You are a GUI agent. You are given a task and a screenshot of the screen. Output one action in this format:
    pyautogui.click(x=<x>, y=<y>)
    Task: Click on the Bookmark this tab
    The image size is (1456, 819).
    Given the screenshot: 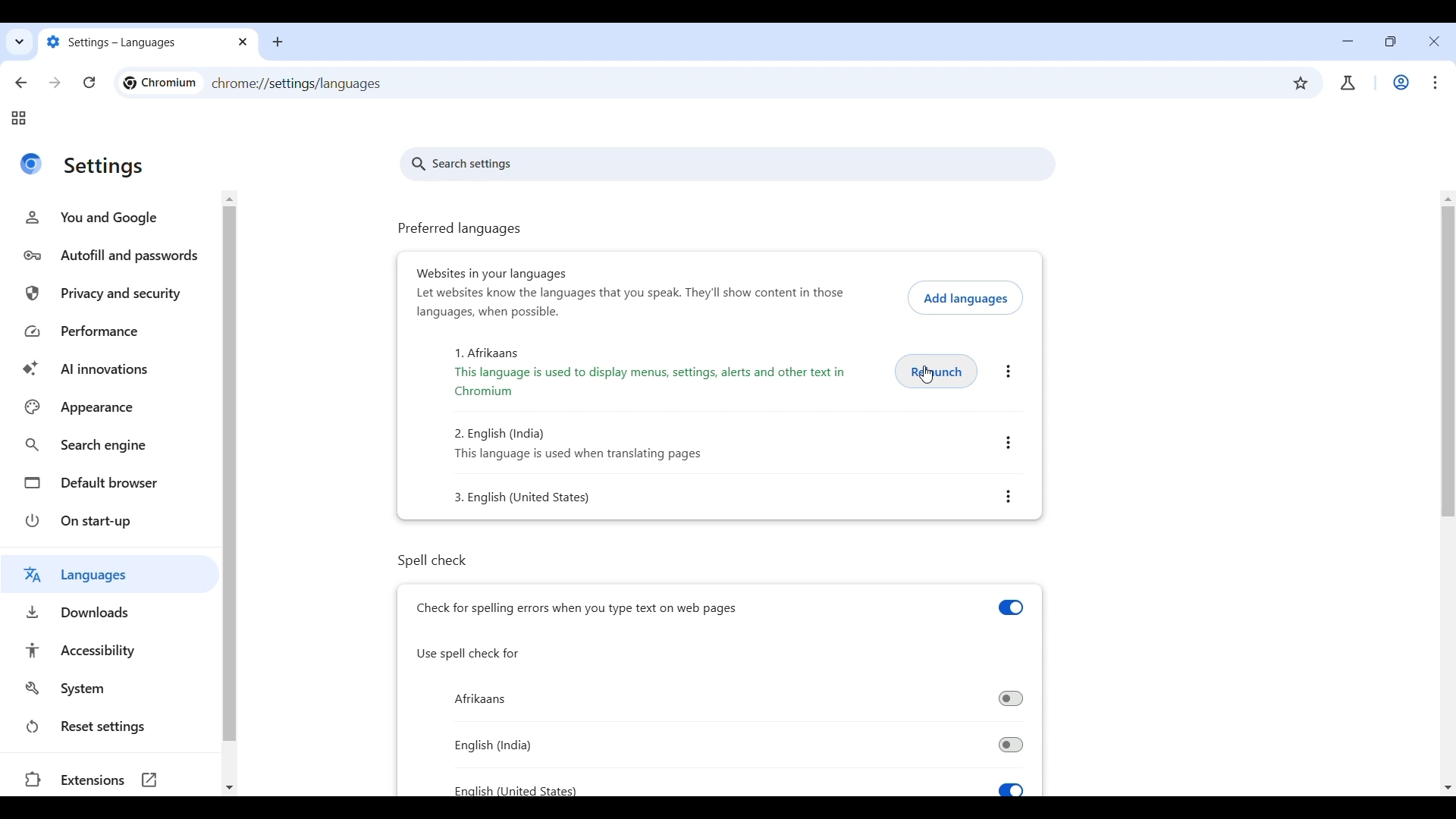 What is the action you would take?
    pyautogui.click(x=1301, y=83)
    